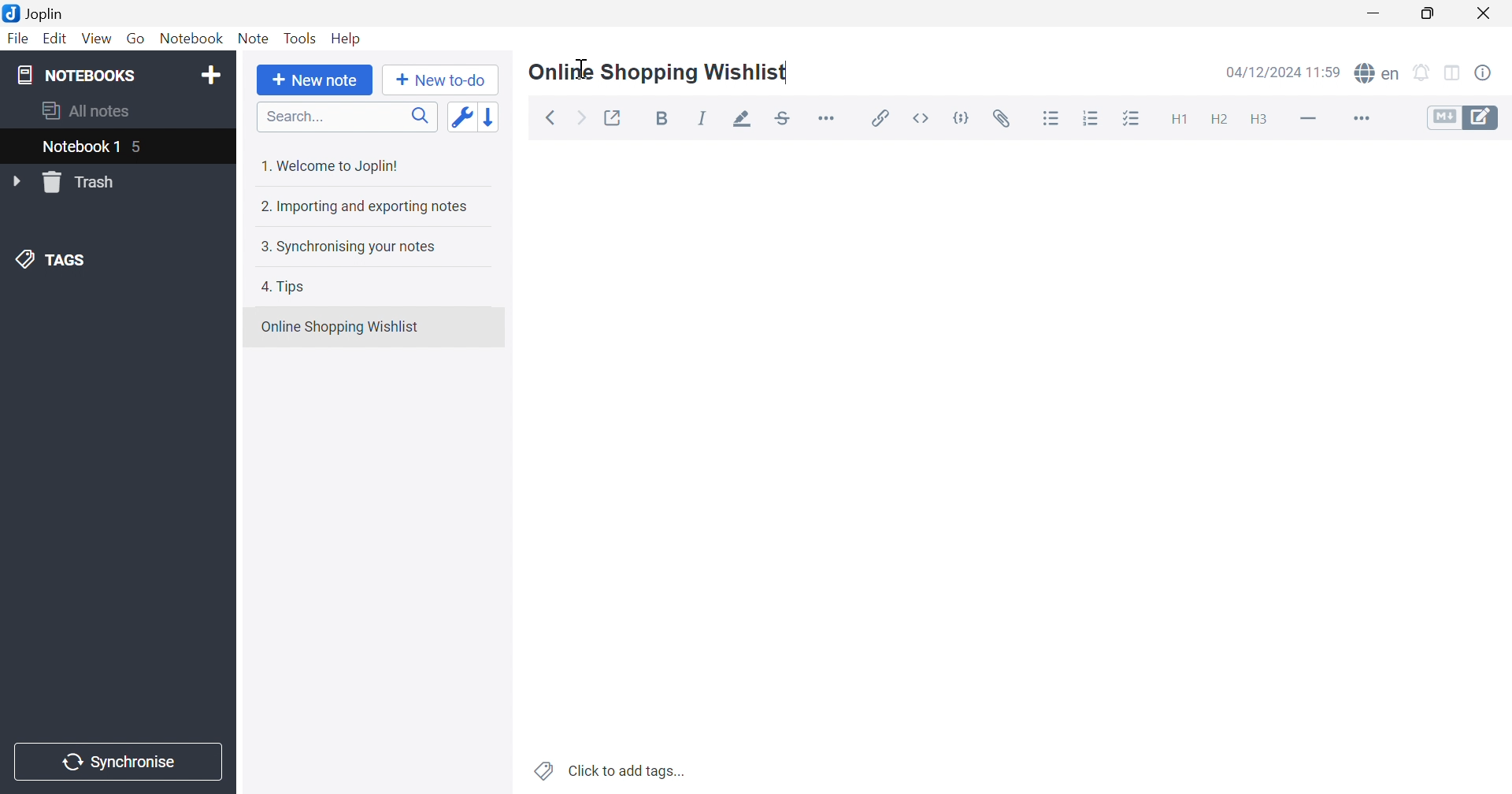 The width and height of the screenshot is (1512, 794). What do you see at coordinates (20, 39) in the screenshot?
I see `File` at bounding box center [20, 39].